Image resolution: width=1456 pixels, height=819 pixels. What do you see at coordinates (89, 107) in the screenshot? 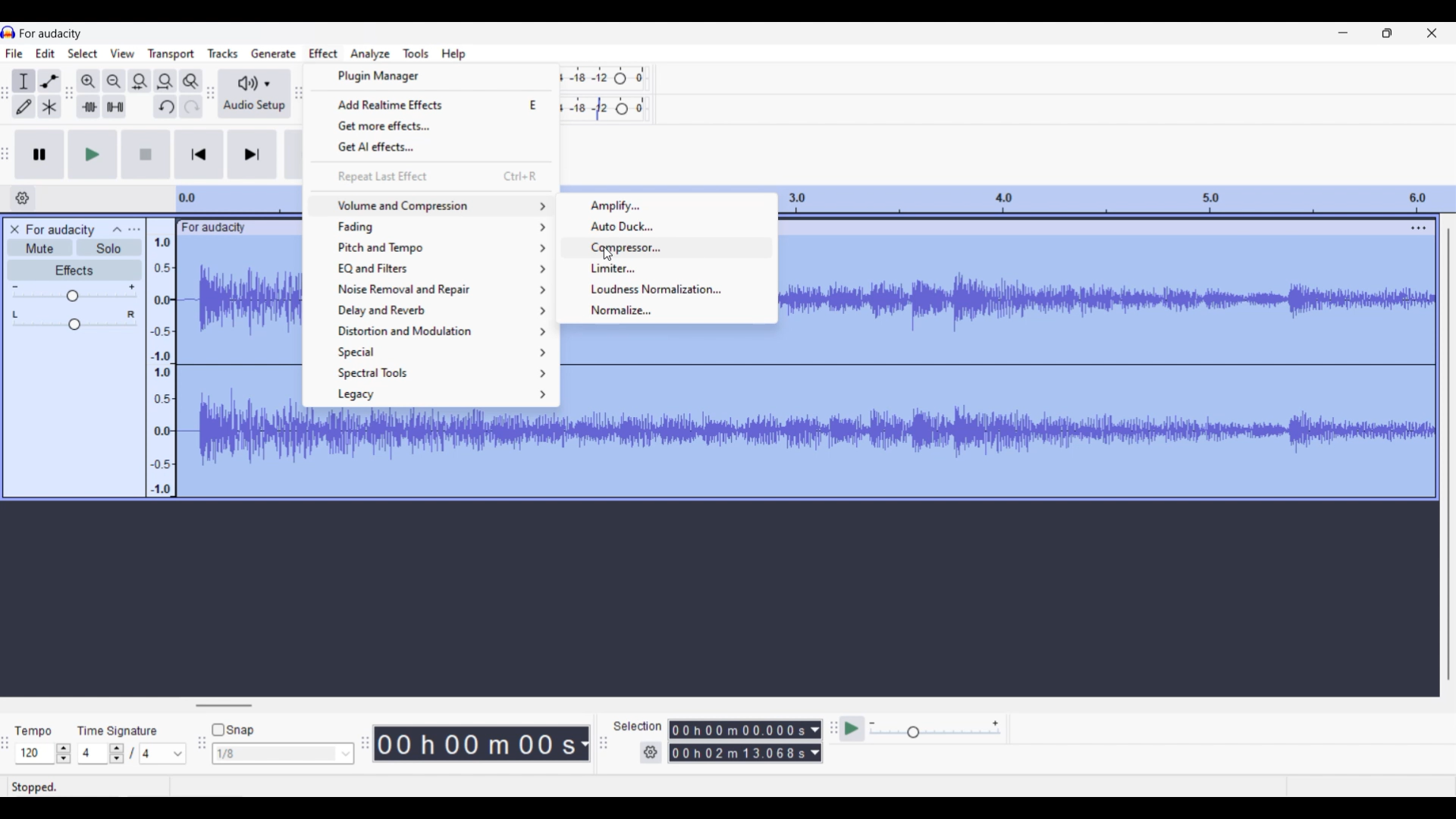
I see `Trim audio outside selection` at bounding box center [89, 107].